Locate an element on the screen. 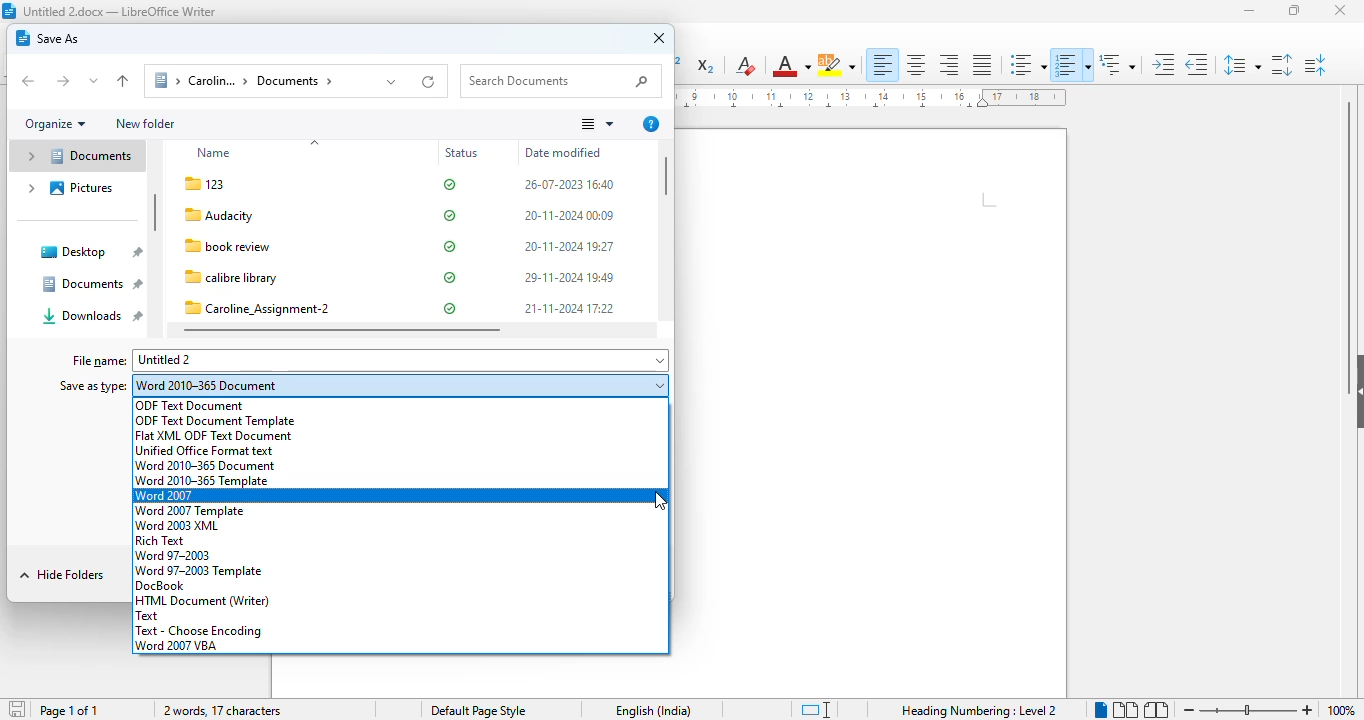 The width and height of the screenshot is (1364, 720). toggle unordered list is located at coordinates (1026, 65).